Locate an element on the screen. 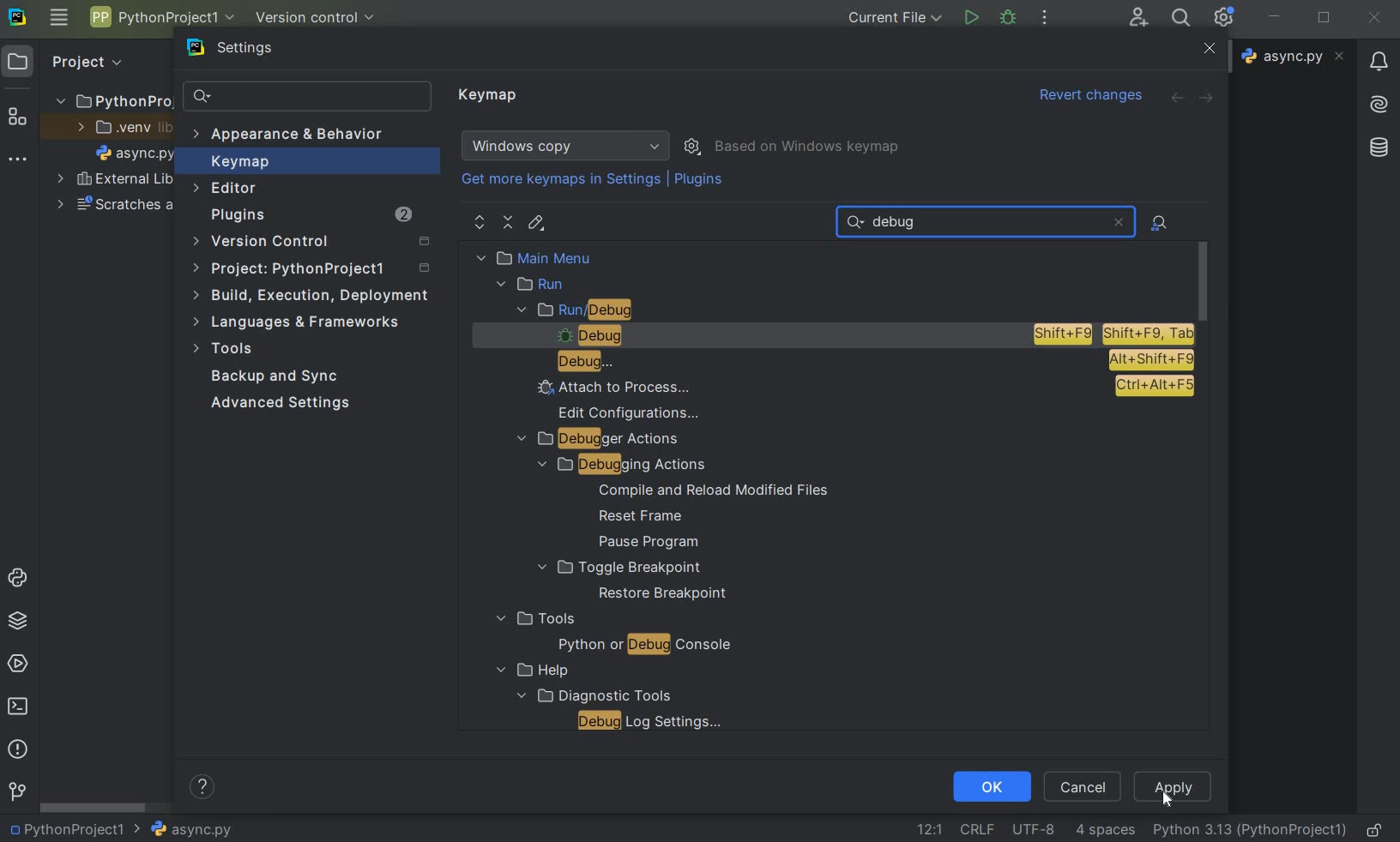  run is located at coordinates (970, 18).